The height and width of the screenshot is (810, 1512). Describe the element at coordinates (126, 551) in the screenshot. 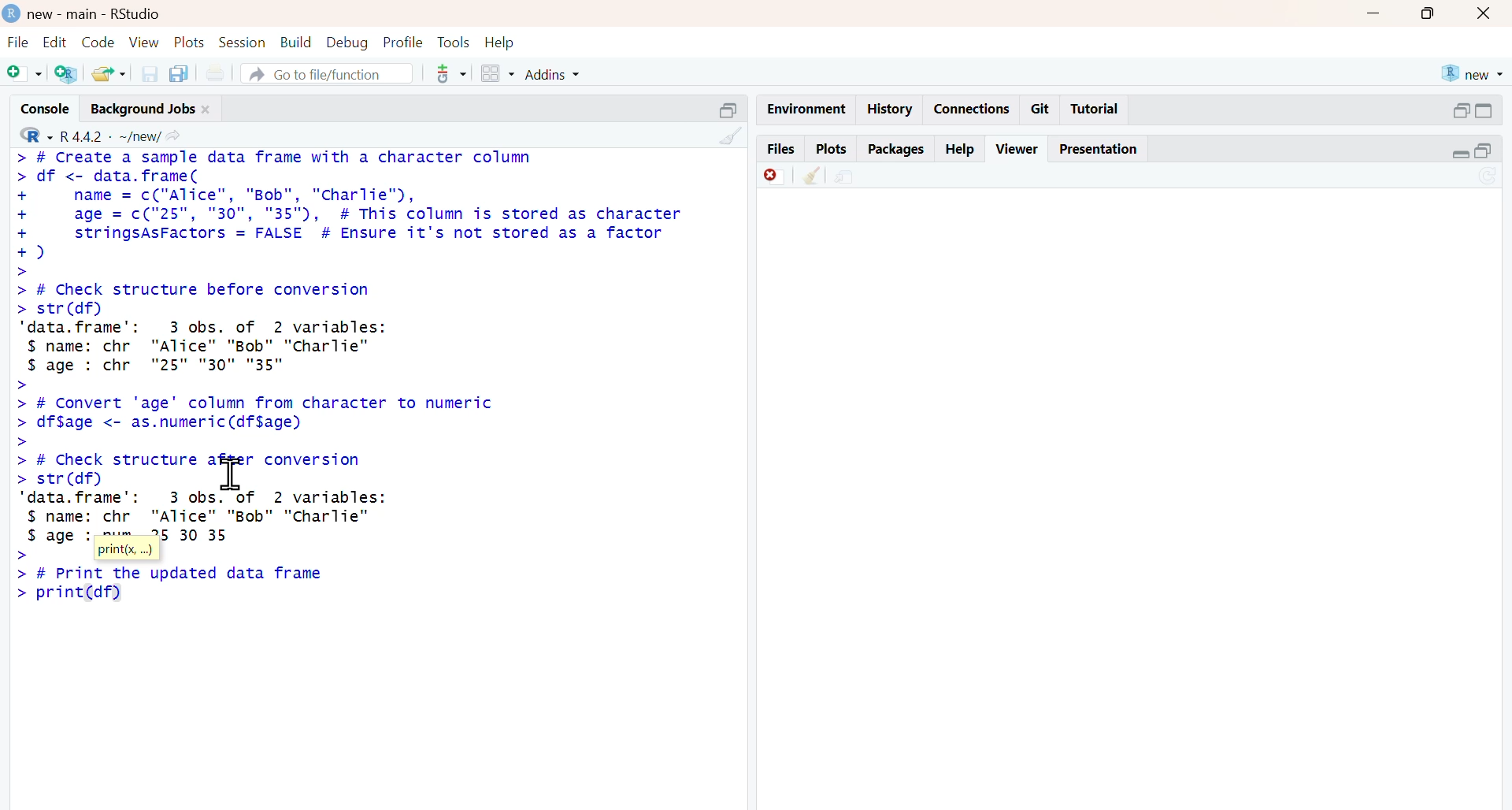

I see `print(x, ...)` at that location.